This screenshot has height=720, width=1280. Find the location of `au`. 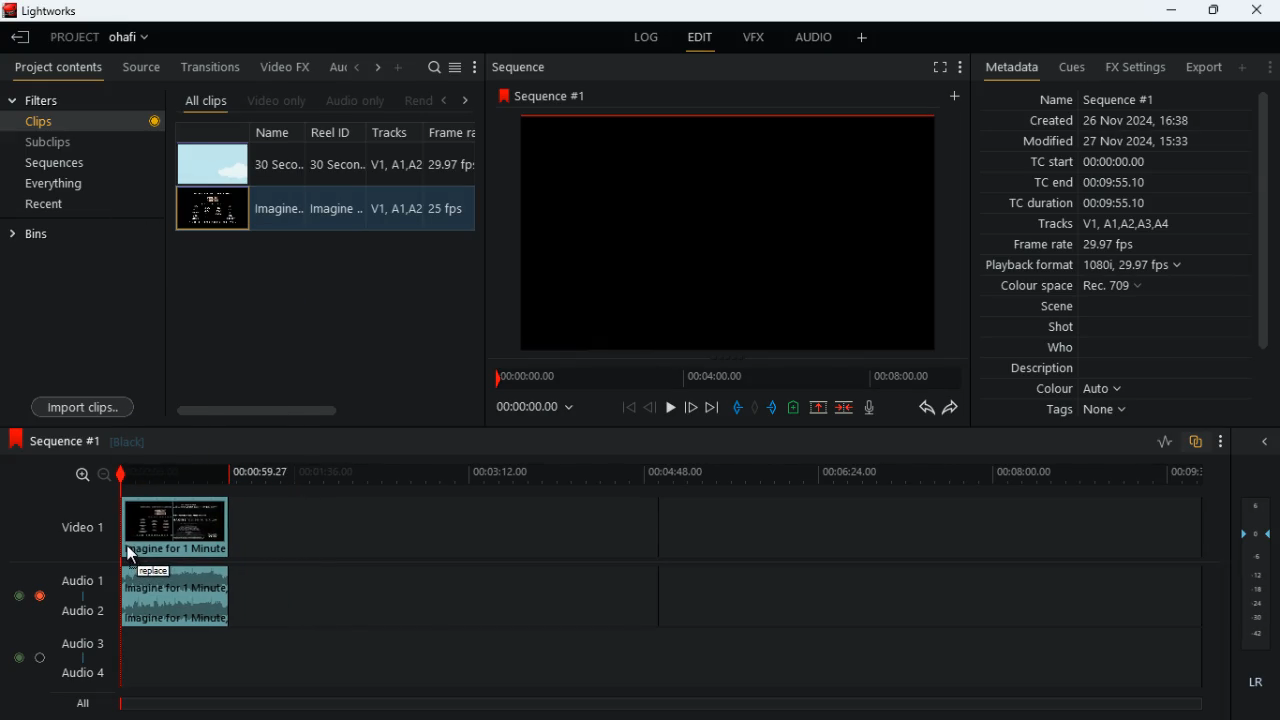

au is located at coordinates (338, 67).